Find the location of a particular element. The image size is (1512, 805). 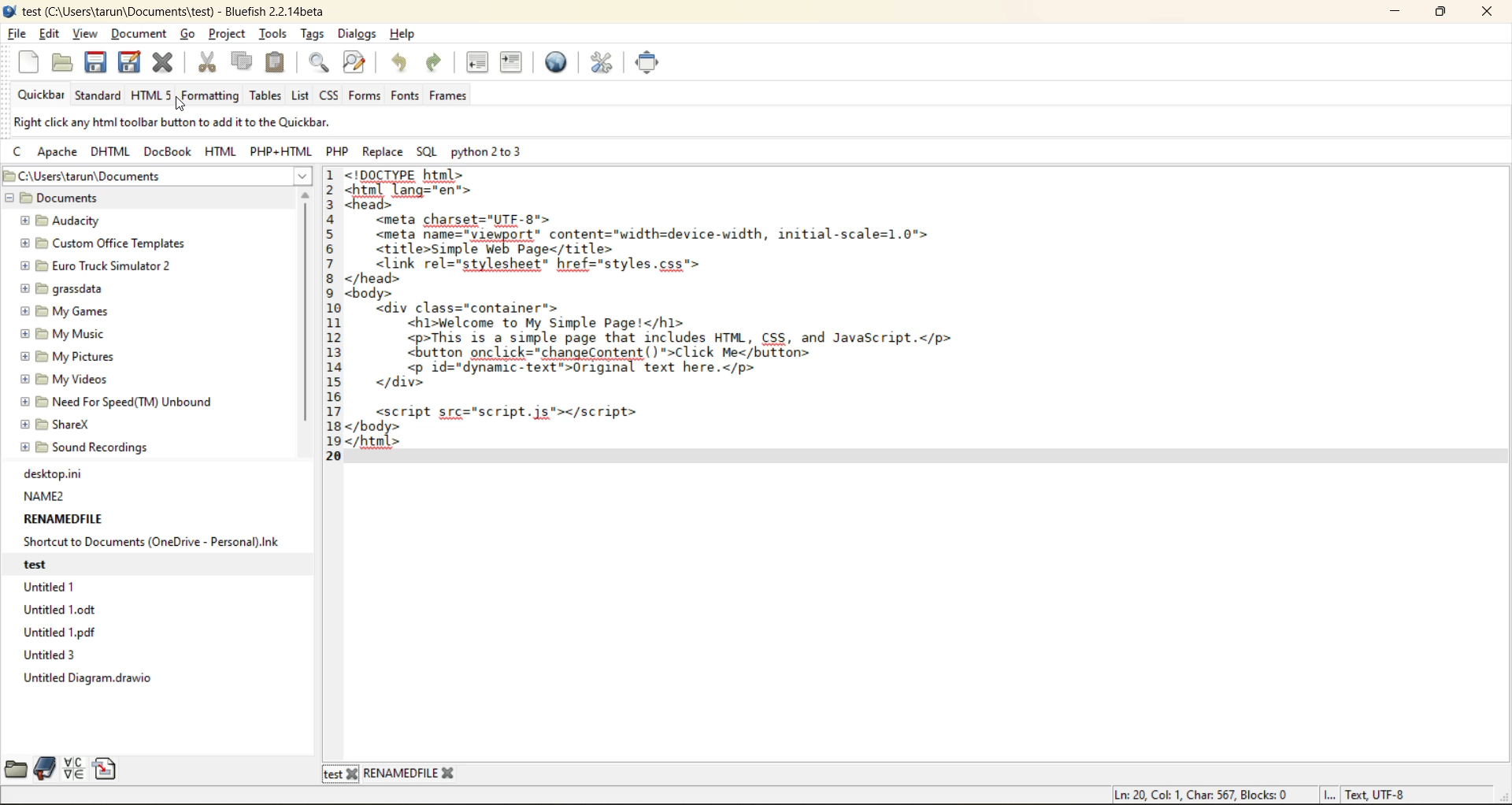

Untitled 1.0dt is located at coordinates (63, 613).